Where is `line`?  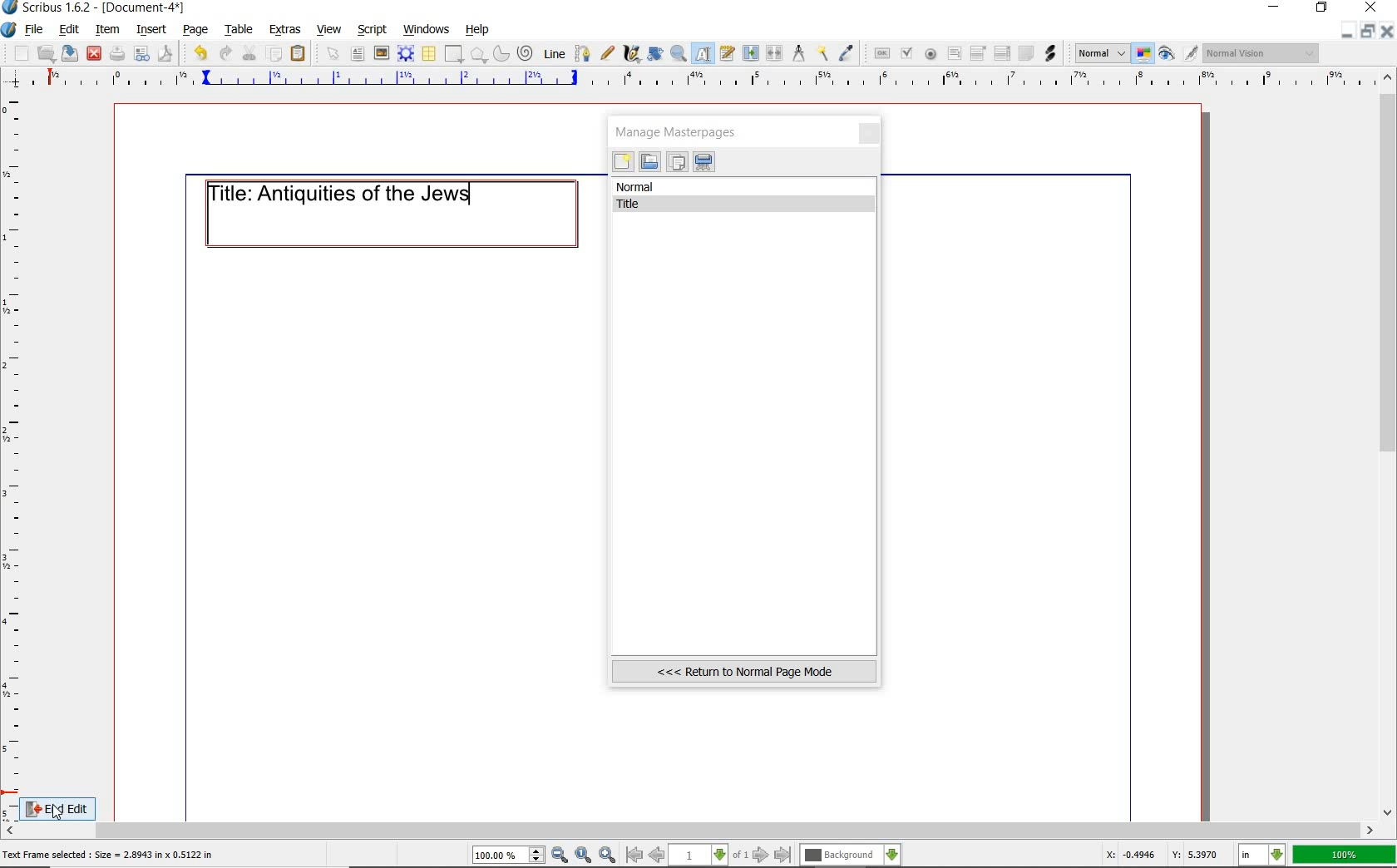 line is located at coordinates (553, 53).